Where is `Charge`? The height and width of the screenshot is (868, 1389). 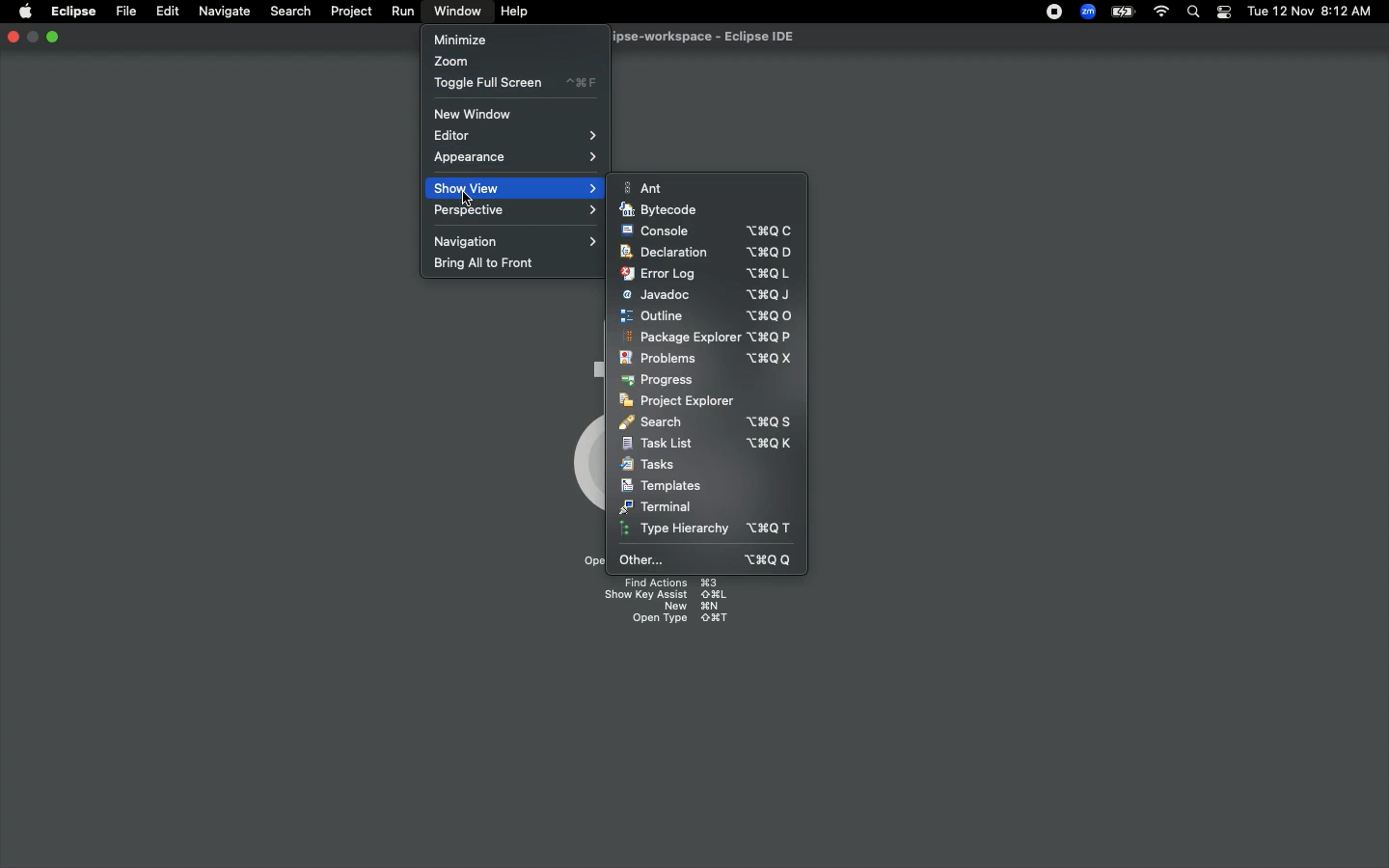 Charge is located at coordinates (1119, 14).